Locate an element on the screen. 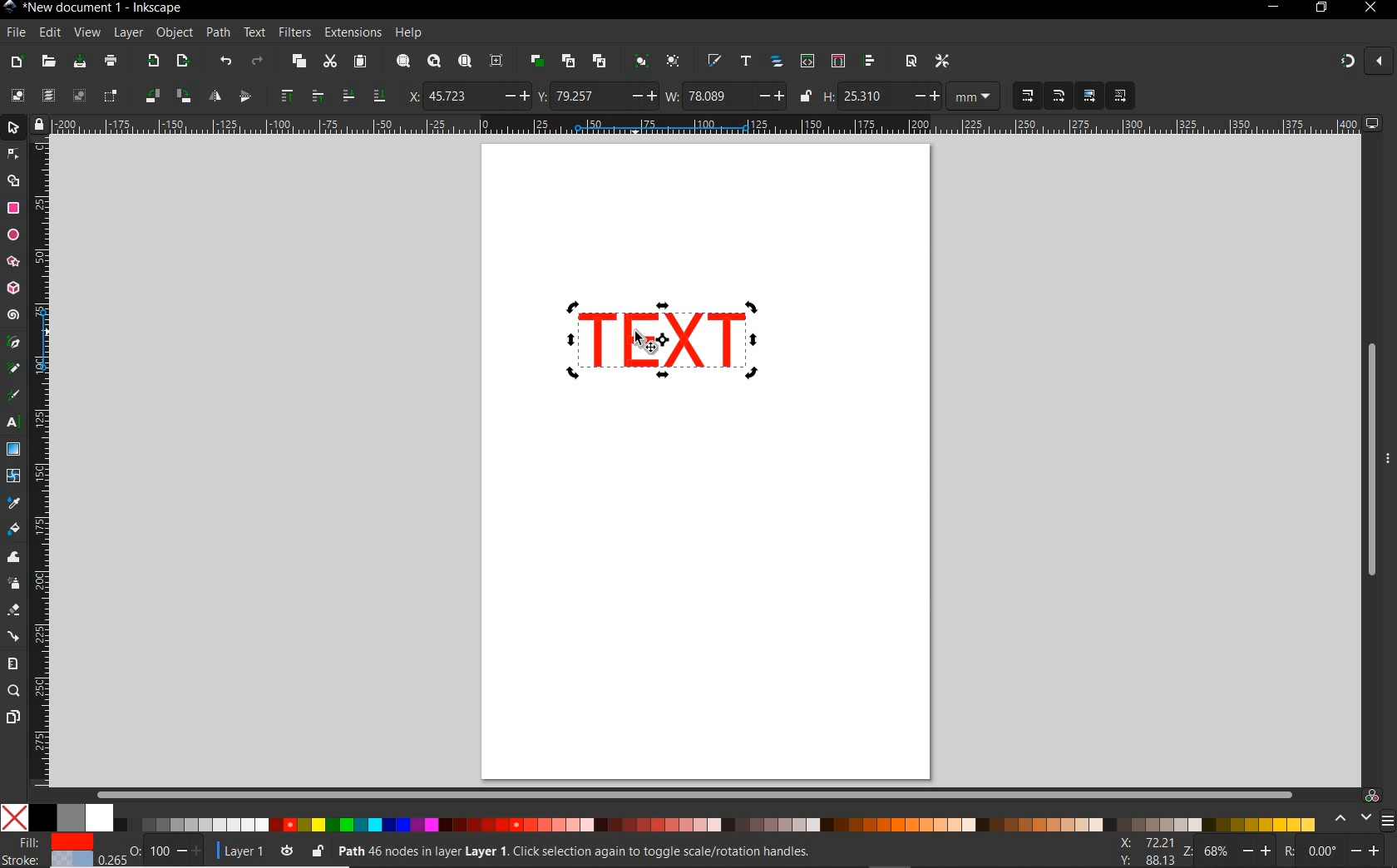  CALLIGRAPHY TOOL is located at coordinates (16, 397).